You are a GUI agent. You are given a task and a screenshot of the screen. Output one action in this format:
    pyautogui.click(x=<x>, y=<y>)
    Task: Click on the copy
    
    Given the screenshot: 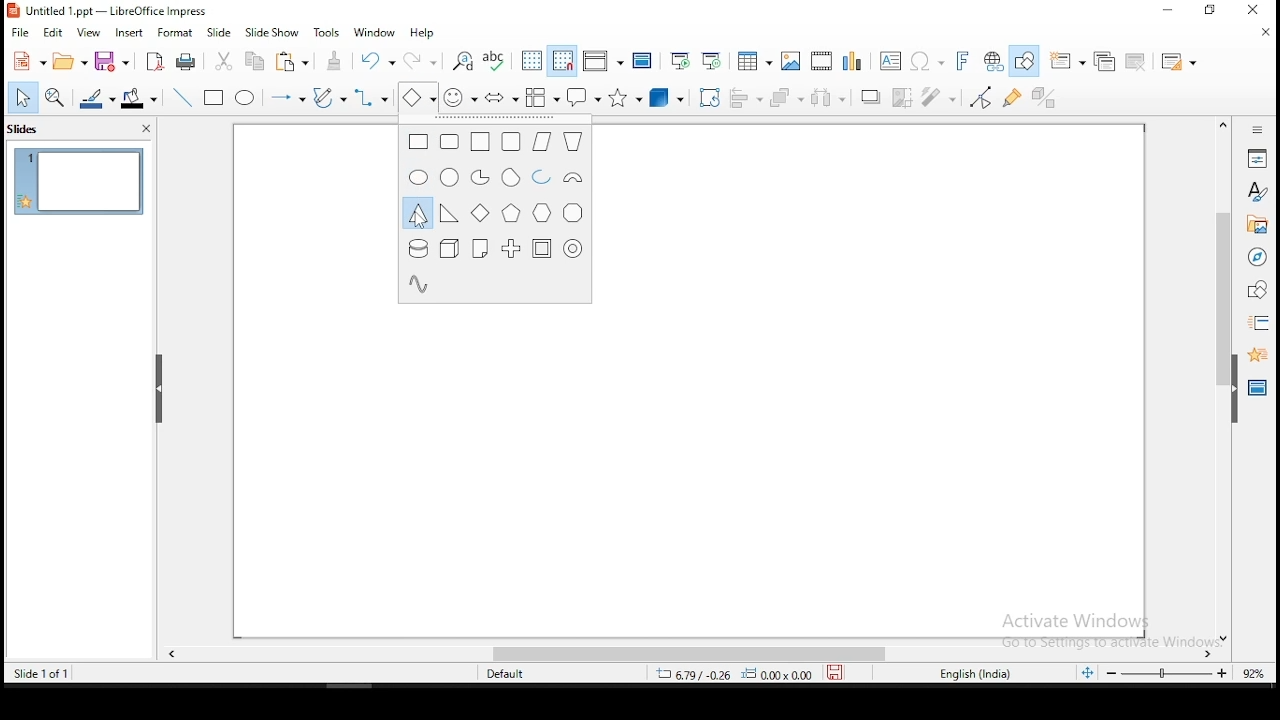 What is the action you would take?
    pyautogui.click(x=260, y=64)
    